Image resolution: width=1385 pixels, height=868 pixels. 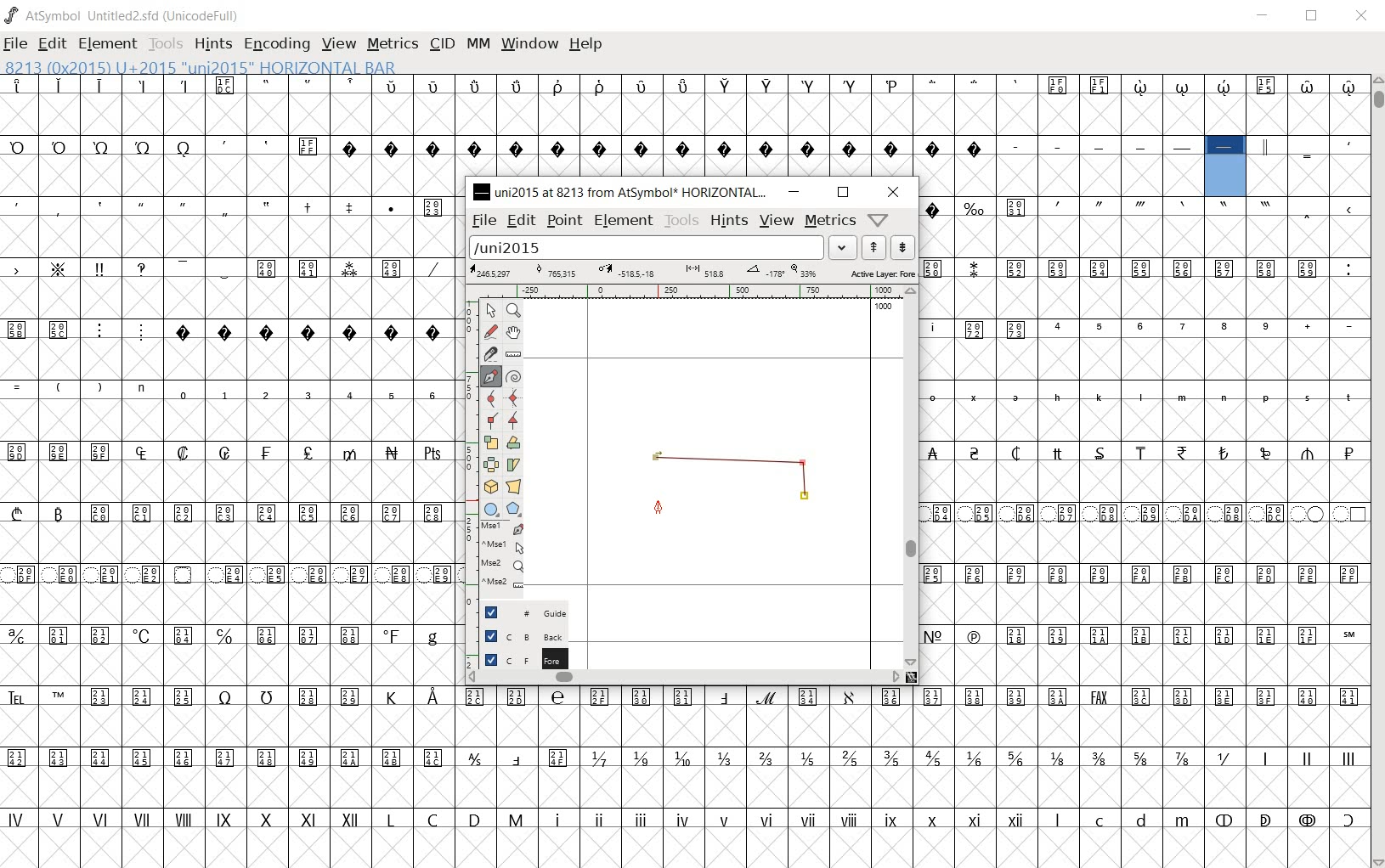 I want to click on measure a distance, angle between points, so click(x=514, y=354).